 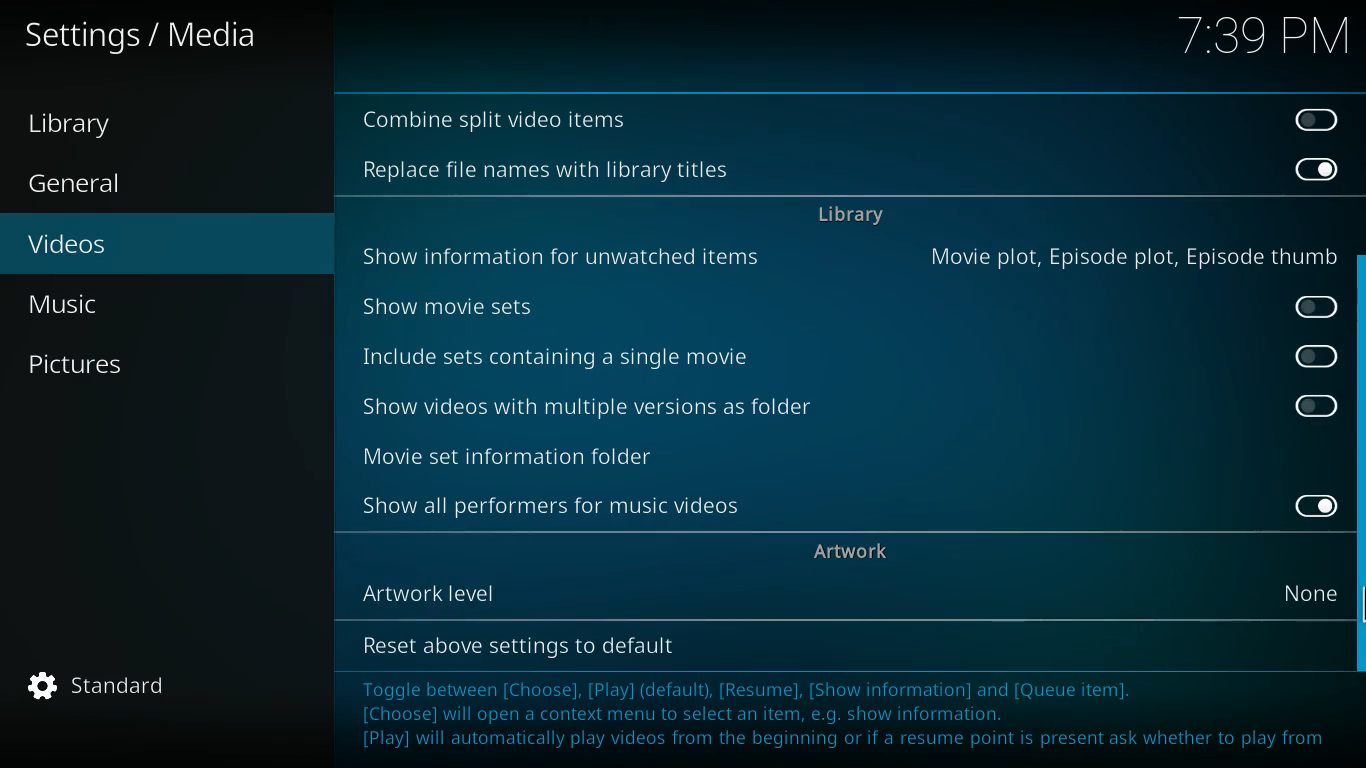 I want to click on on, so click(x=1308, y=505).